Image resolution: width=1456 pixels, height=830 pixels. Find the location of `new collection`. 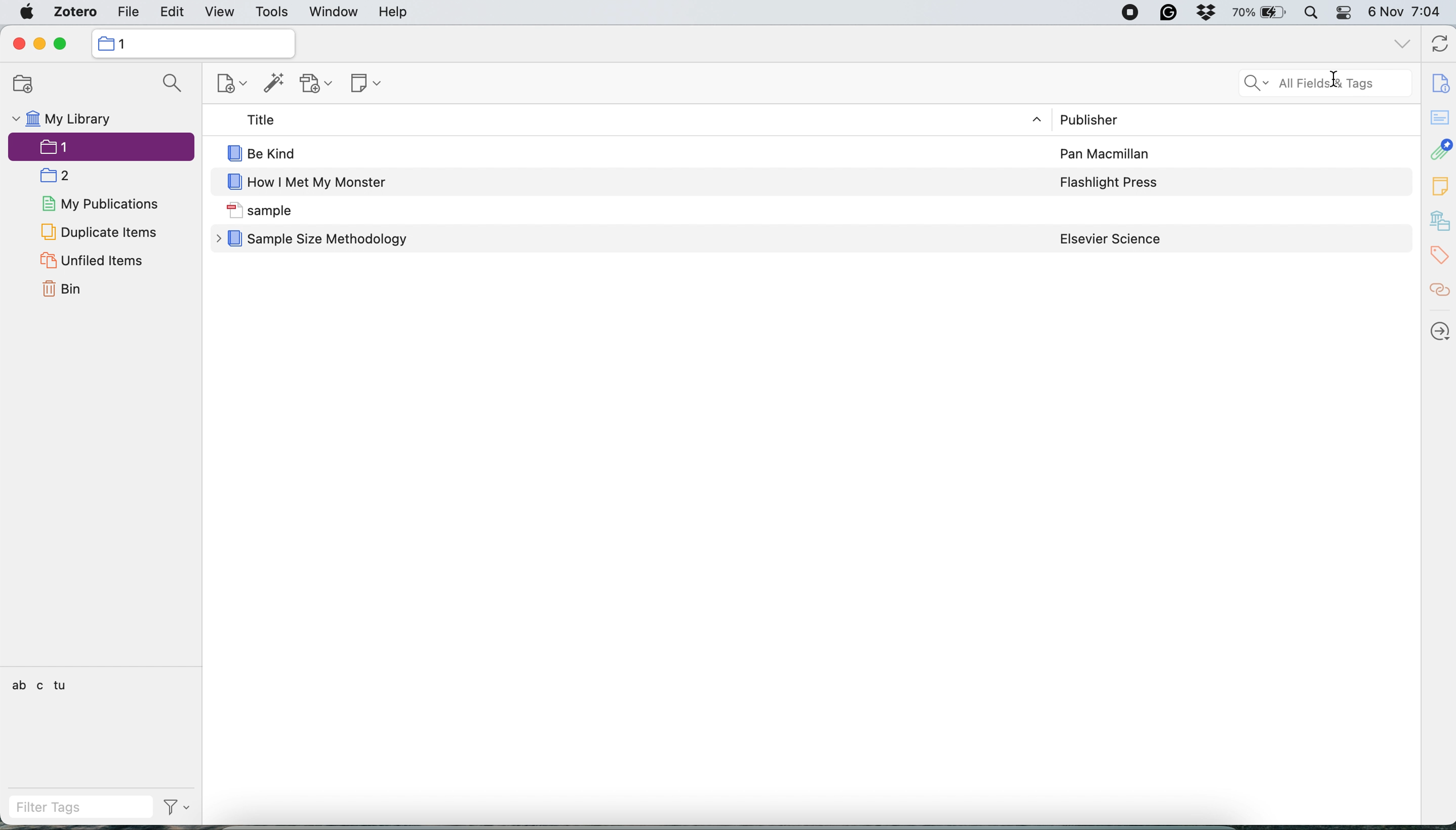

new collection is located at coordinates (27, 82).